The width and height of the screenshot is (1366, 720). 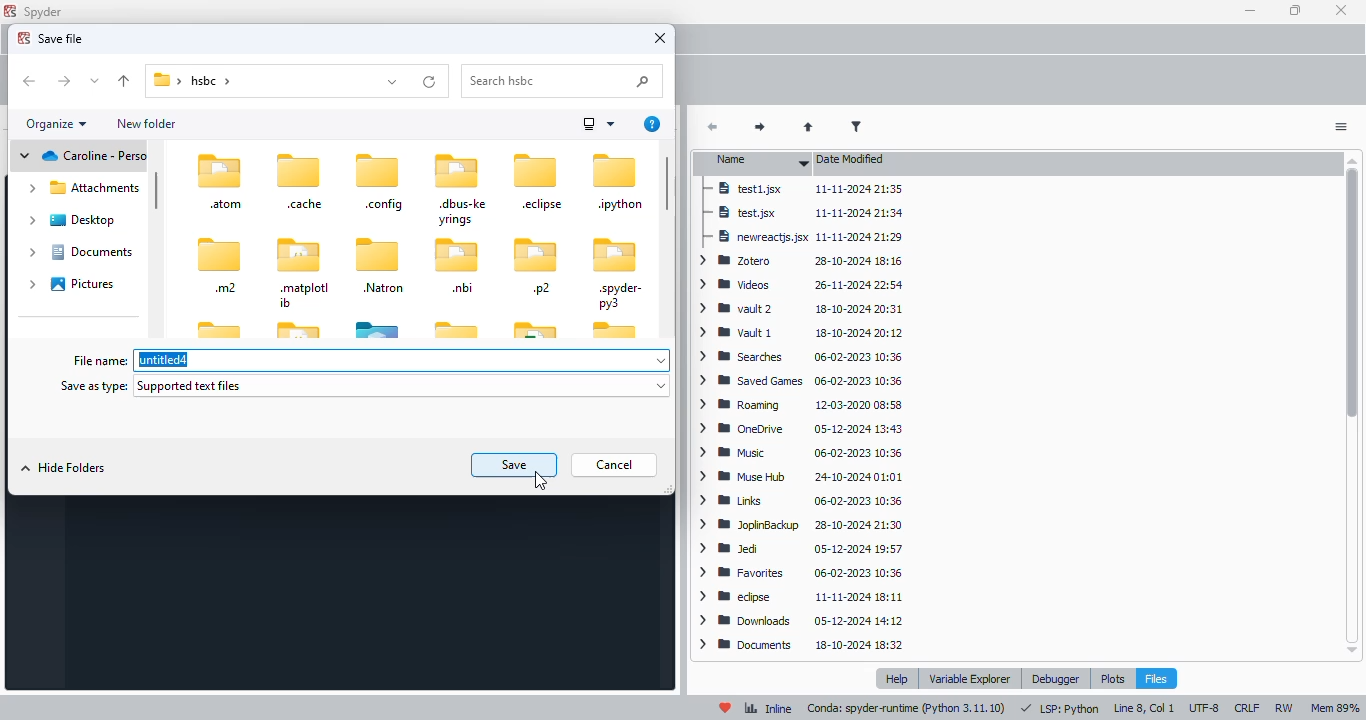 I want to click on .nbi, so click(x=461, y=266).